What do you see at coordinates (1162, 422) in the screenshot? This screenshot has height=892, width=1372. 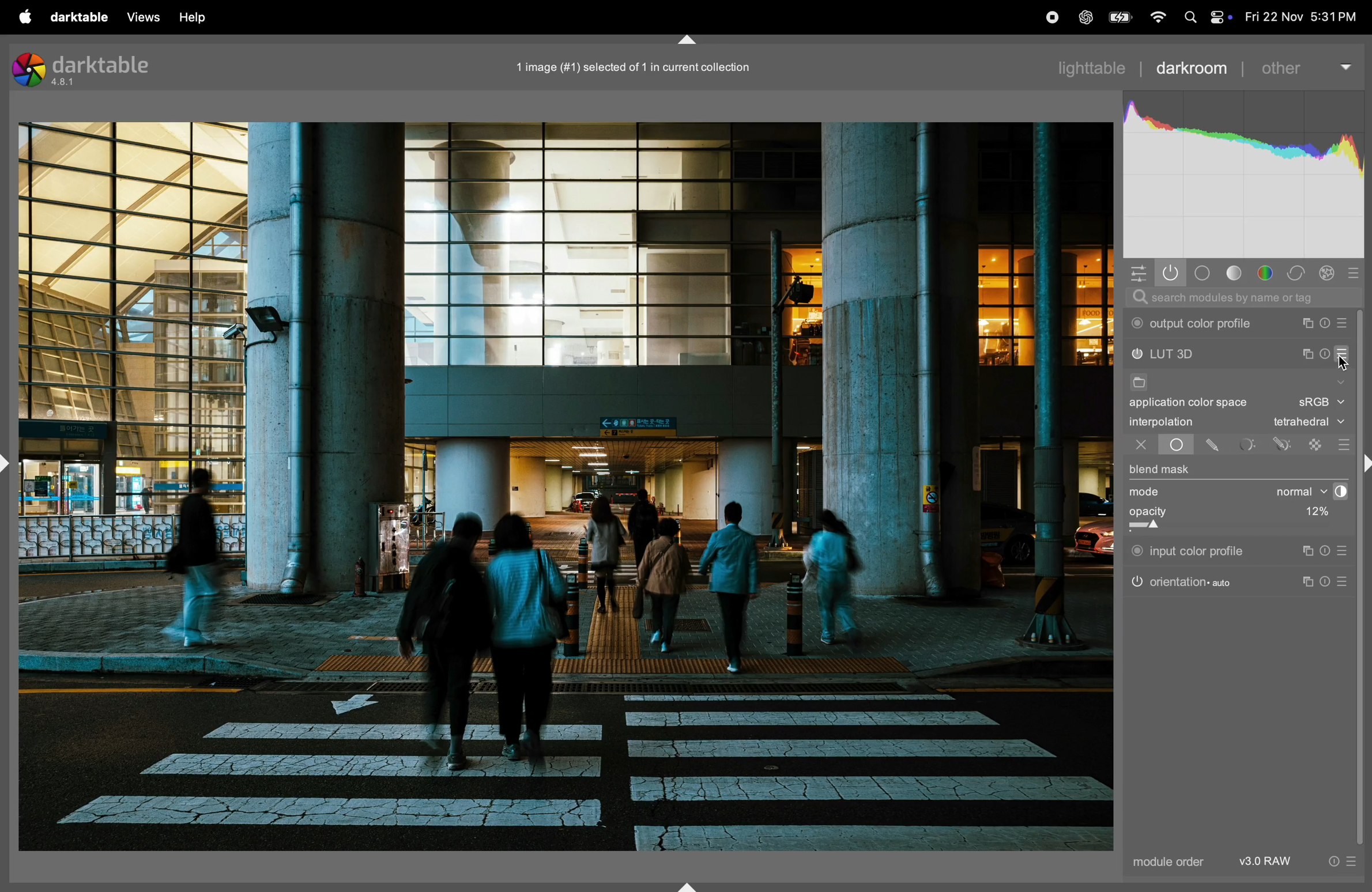 I see `interpolation` at bounding box center [1162, 422].